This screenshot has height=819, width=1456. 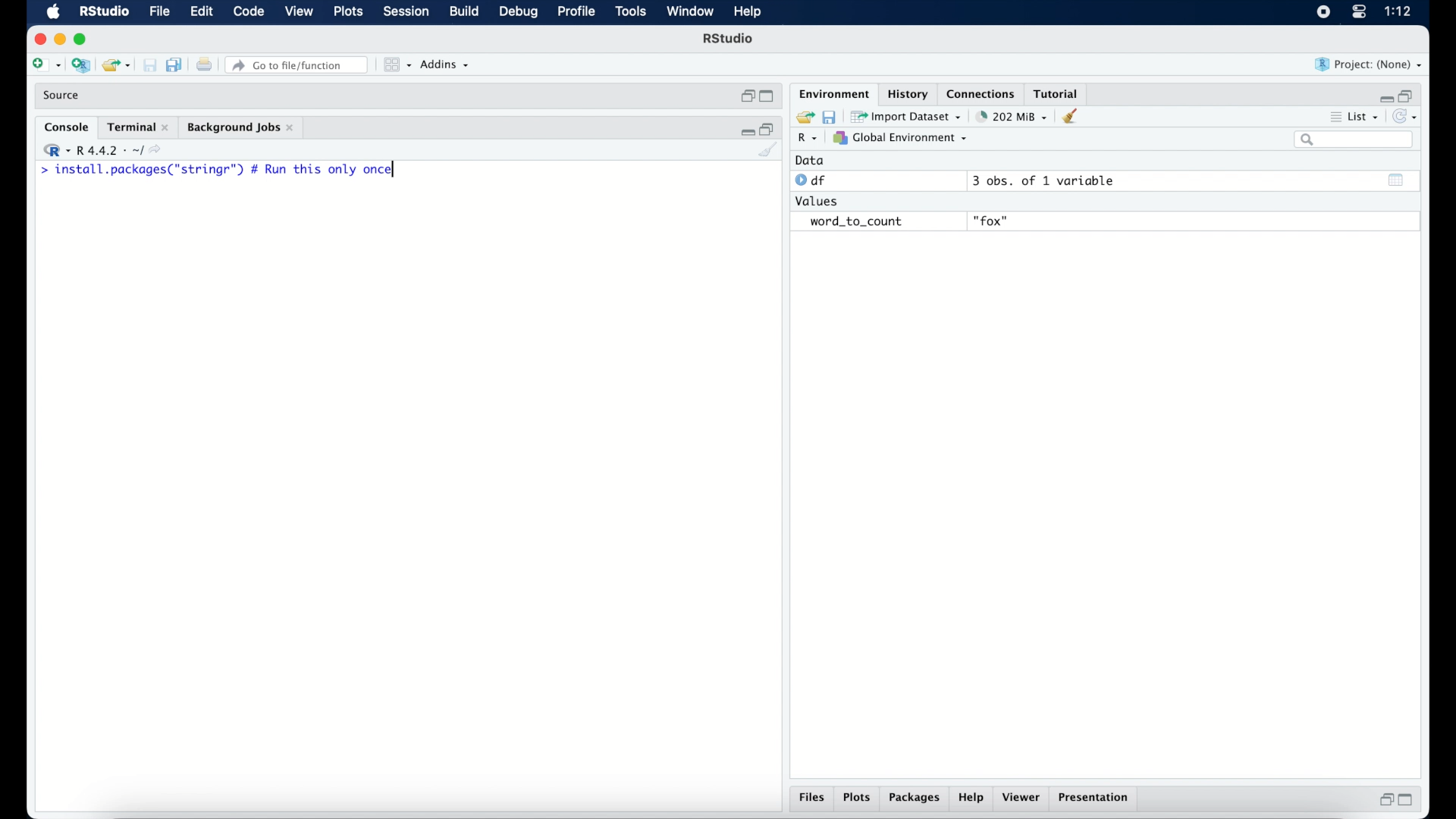 I want to click on tutorial, so click(x=1056, y=92).